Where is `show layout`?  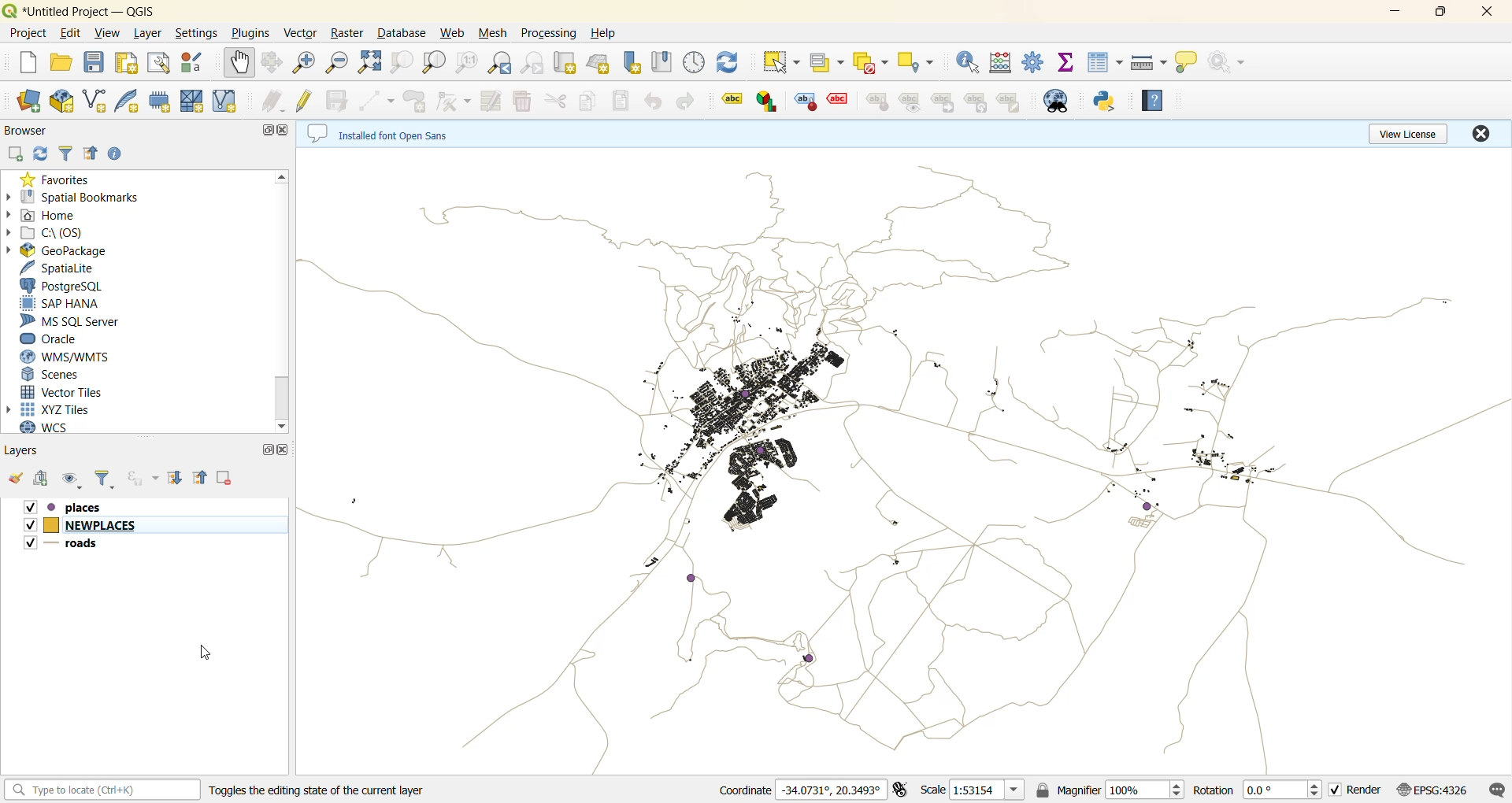 show layout is located at coordinates (158, 65).